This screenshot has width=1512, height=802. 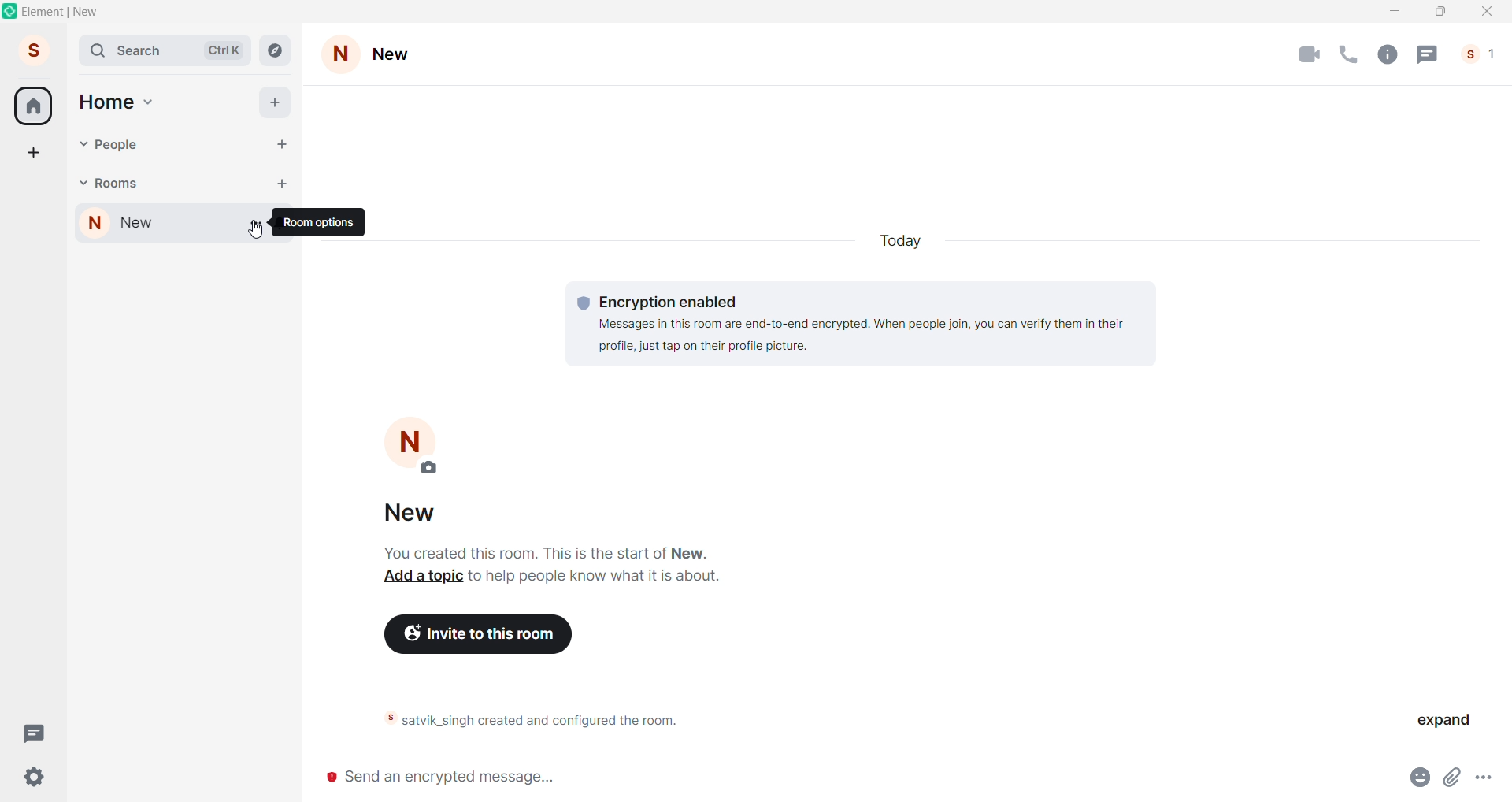 I want to click on Rooms Dropdown, so click(x=82, y=180).